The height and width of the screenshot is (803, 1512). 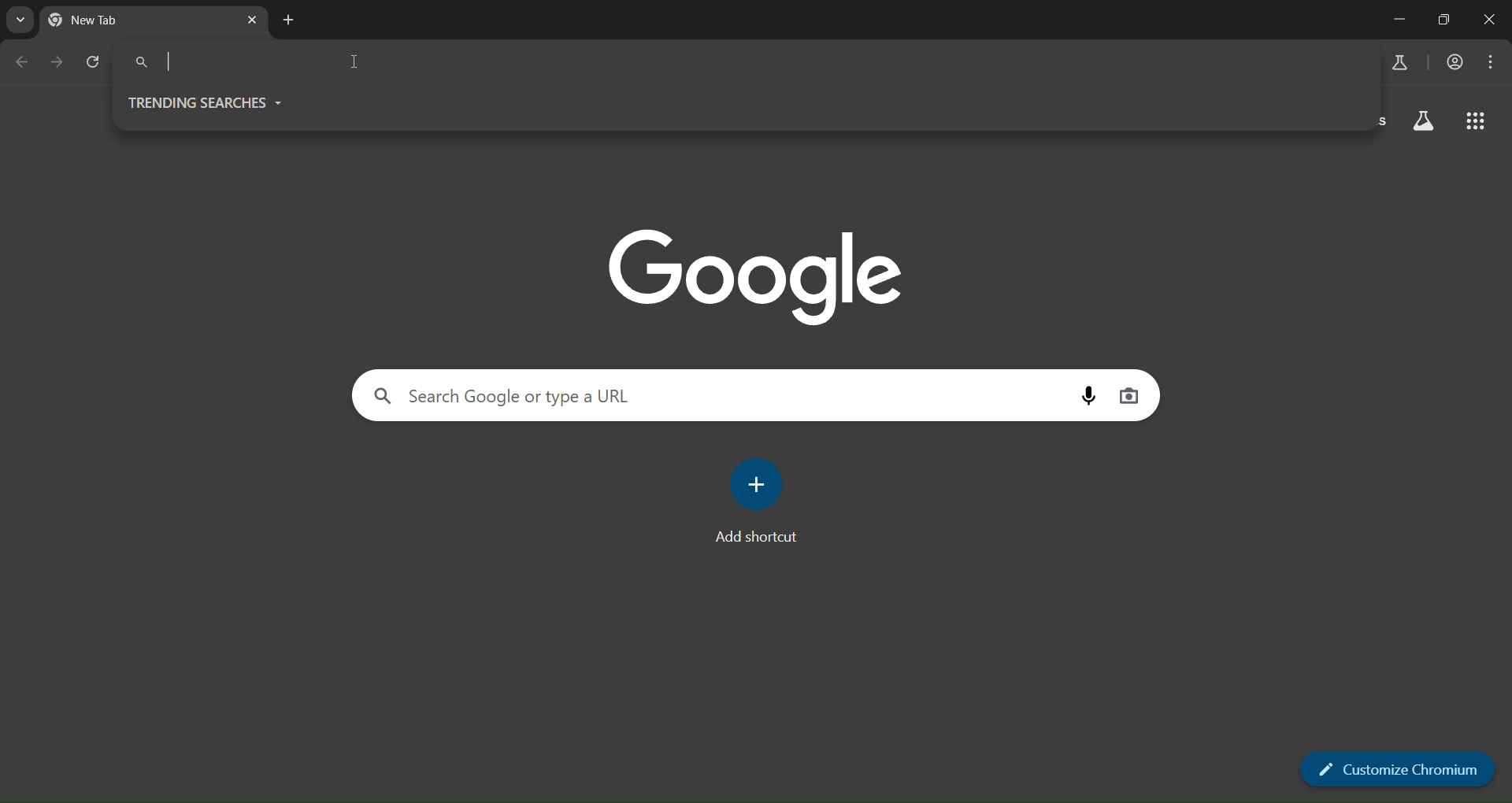 What do you see at coordinates (1446, 20) in the screenshot?
I see `restore down` at bounding box center [1446, 20].